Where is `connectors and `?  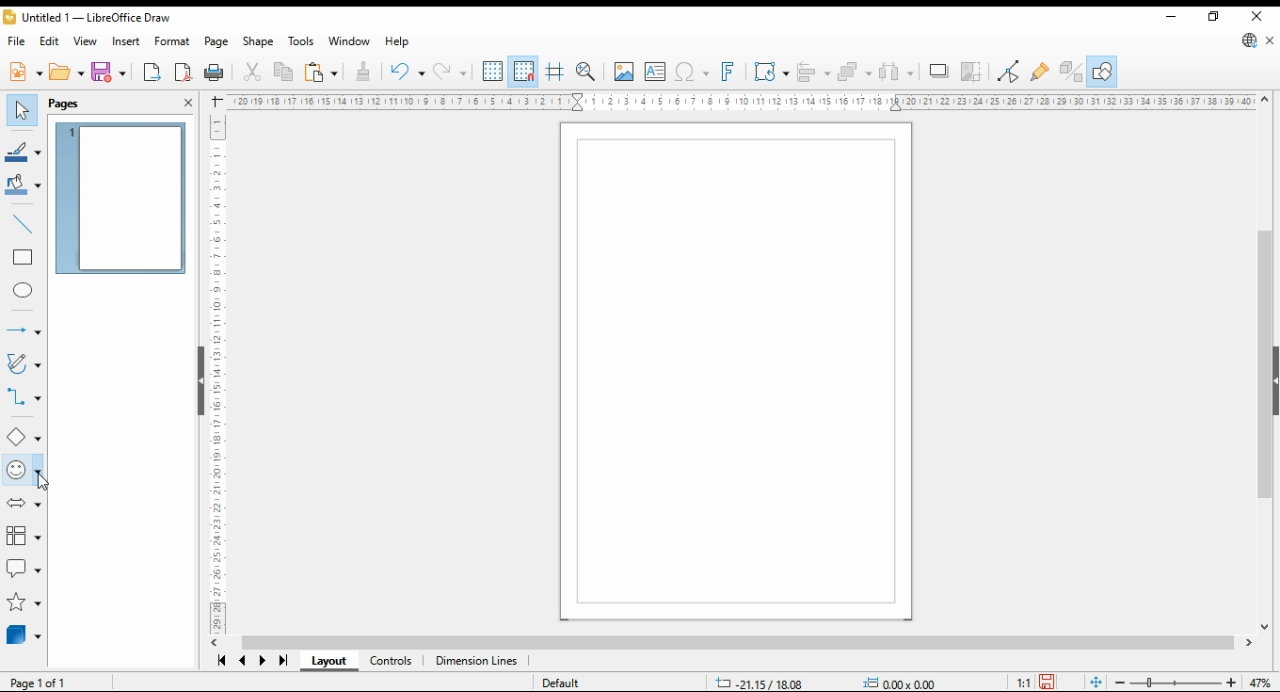 connectors and  is located at coordinates (23, 399).